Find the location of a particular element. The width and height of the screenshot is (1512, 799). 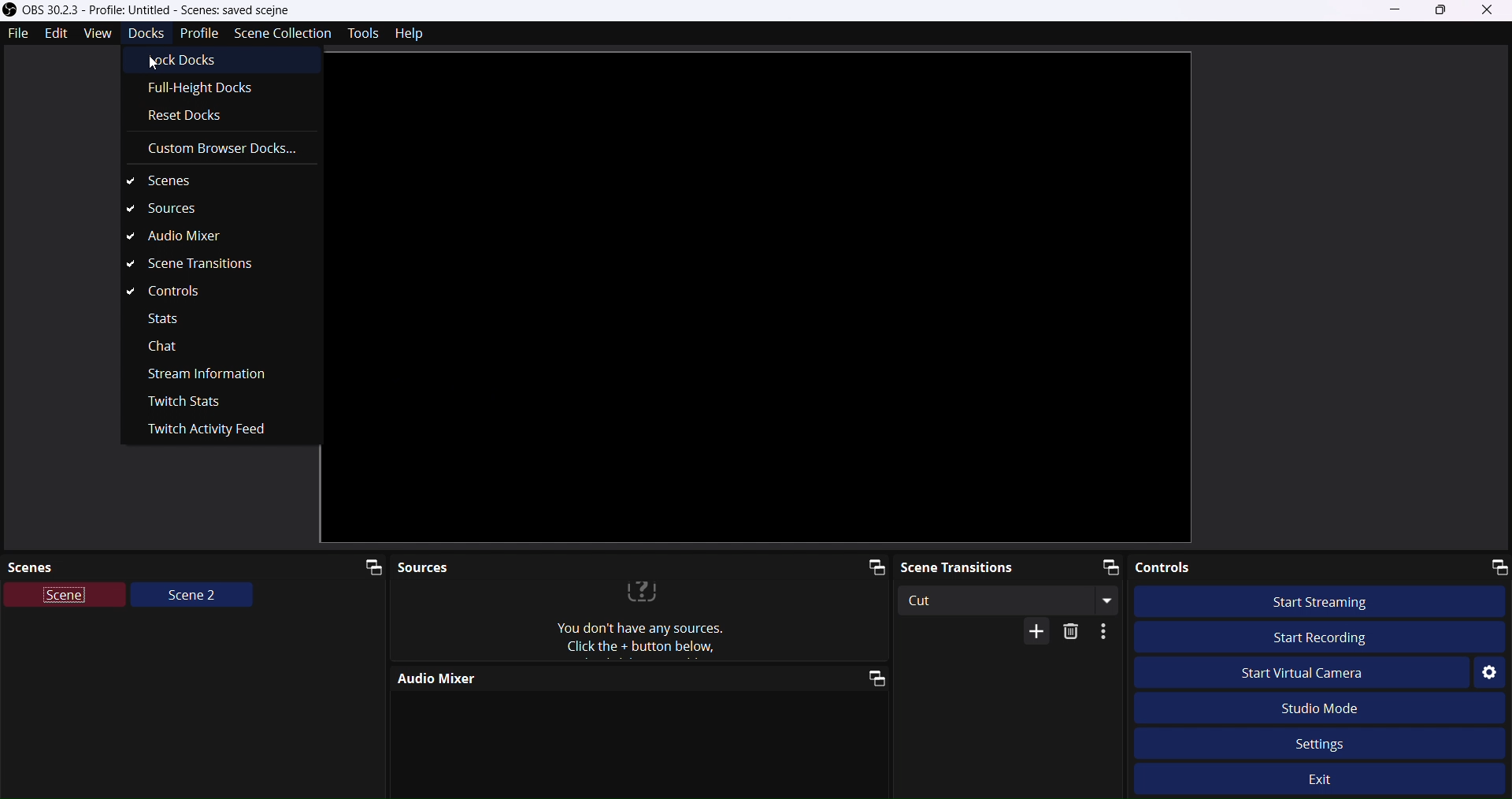

You don't have any sources. Click the + button below. is located at coordinates (641, 620).